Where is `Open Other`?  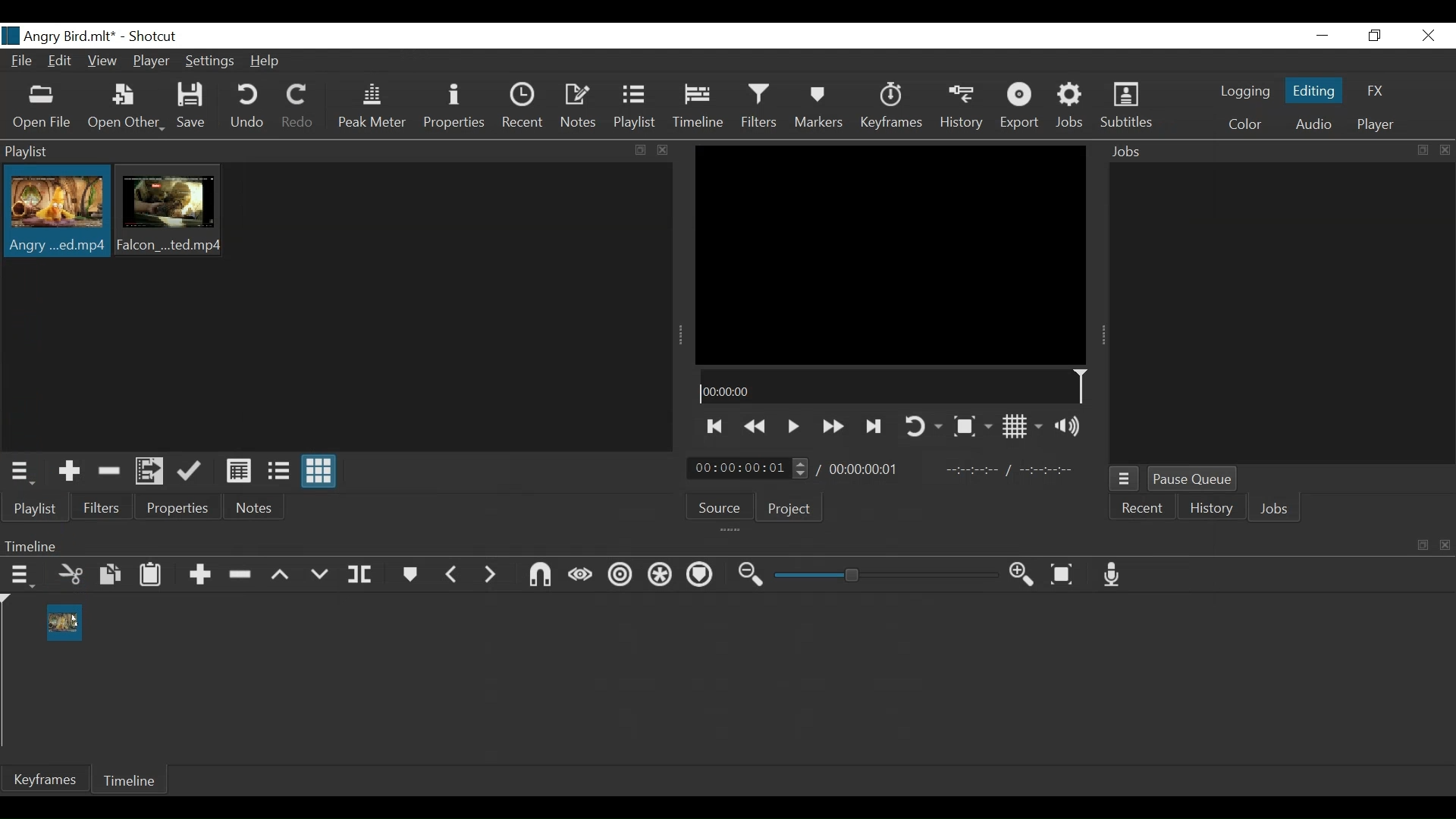
Open Other is located at coordinates (125, 107).